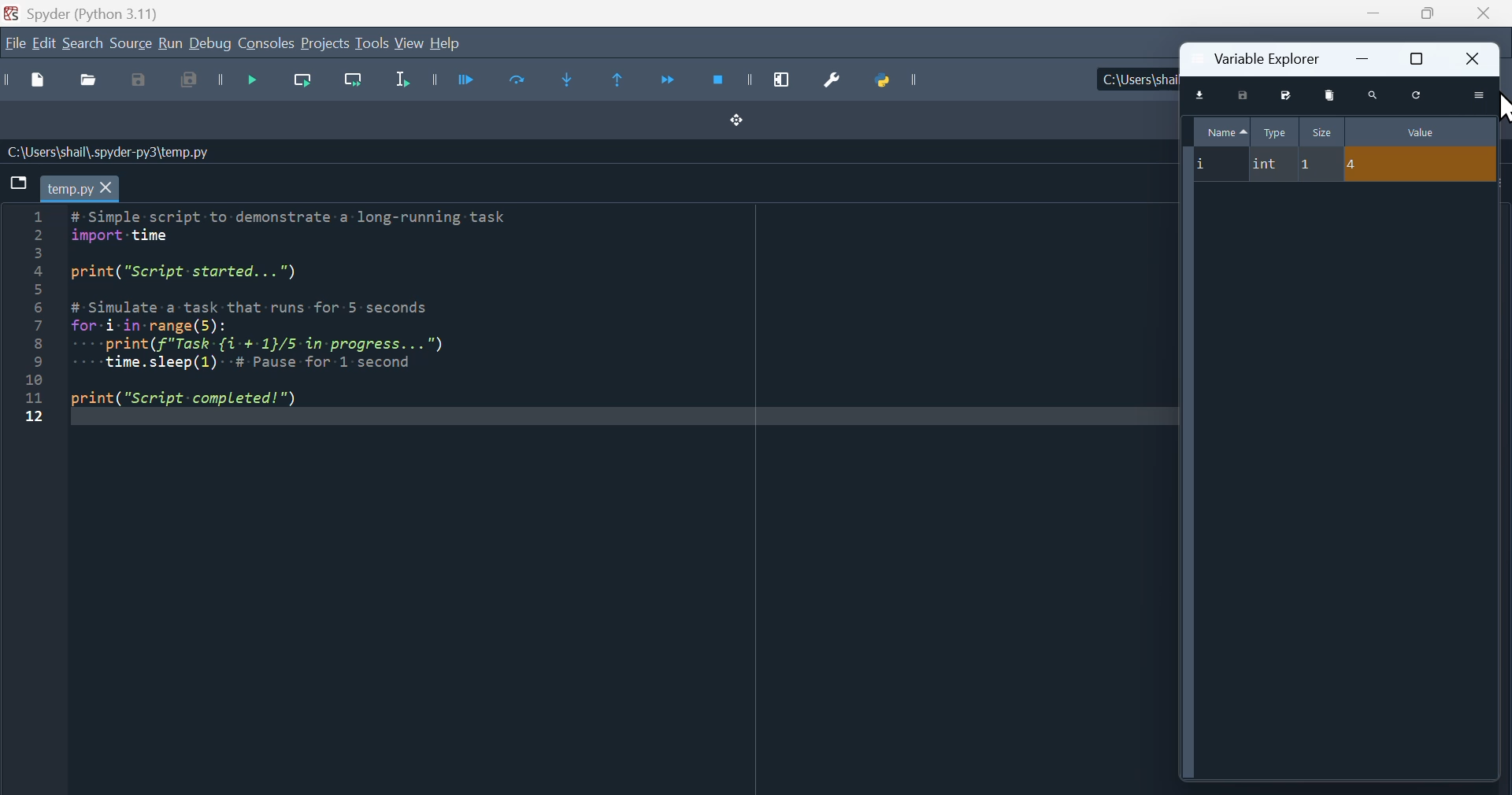  I want to click on options, so click(1481, 95).